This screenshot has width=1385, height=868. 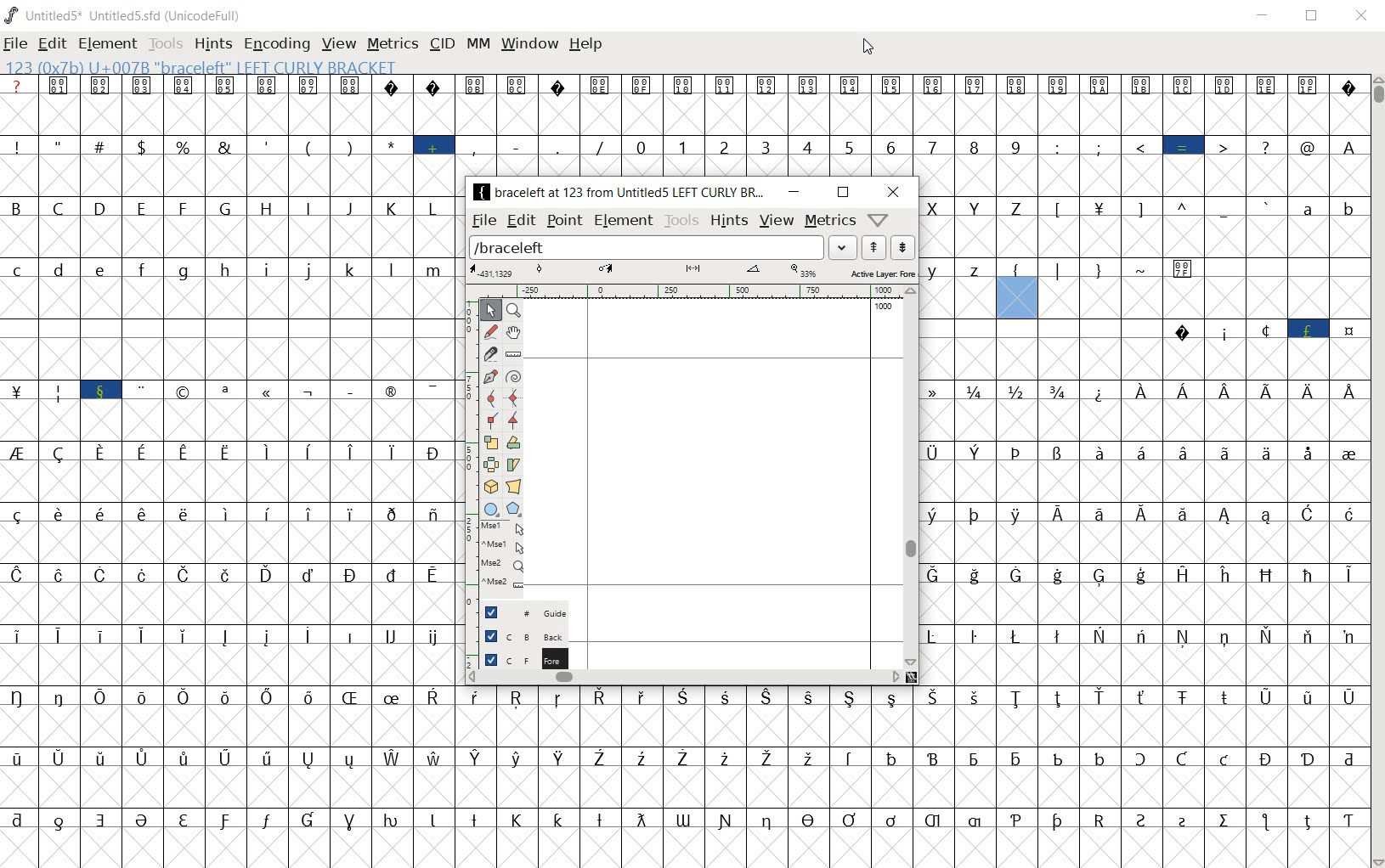 What do you see at coordinates (829, 222) in the screenshot?
I see `metrics` at bounding box center [829, 222].